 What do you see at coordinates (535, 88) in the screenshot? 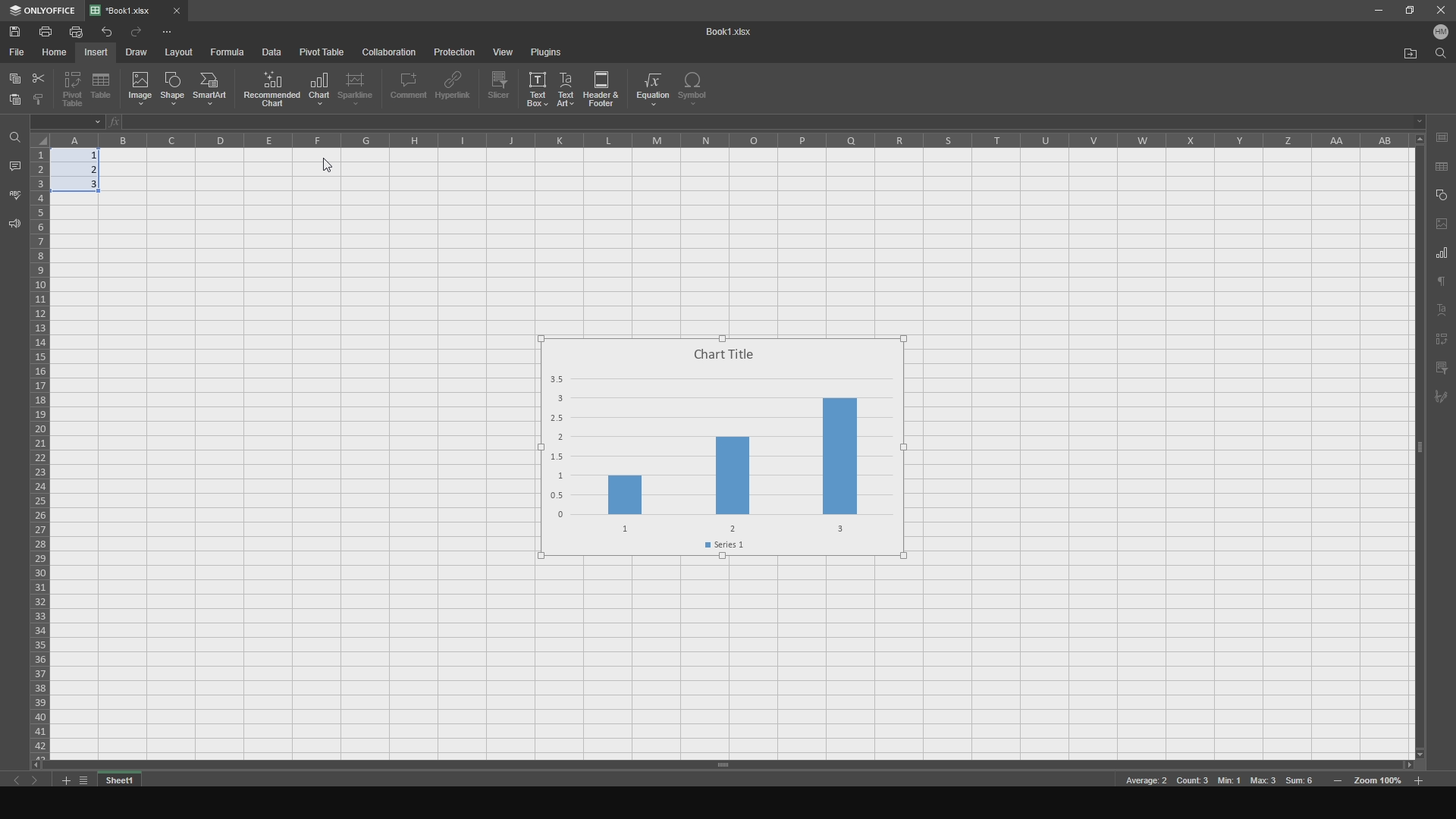
I see `text box` at bounding box center [535, 88].